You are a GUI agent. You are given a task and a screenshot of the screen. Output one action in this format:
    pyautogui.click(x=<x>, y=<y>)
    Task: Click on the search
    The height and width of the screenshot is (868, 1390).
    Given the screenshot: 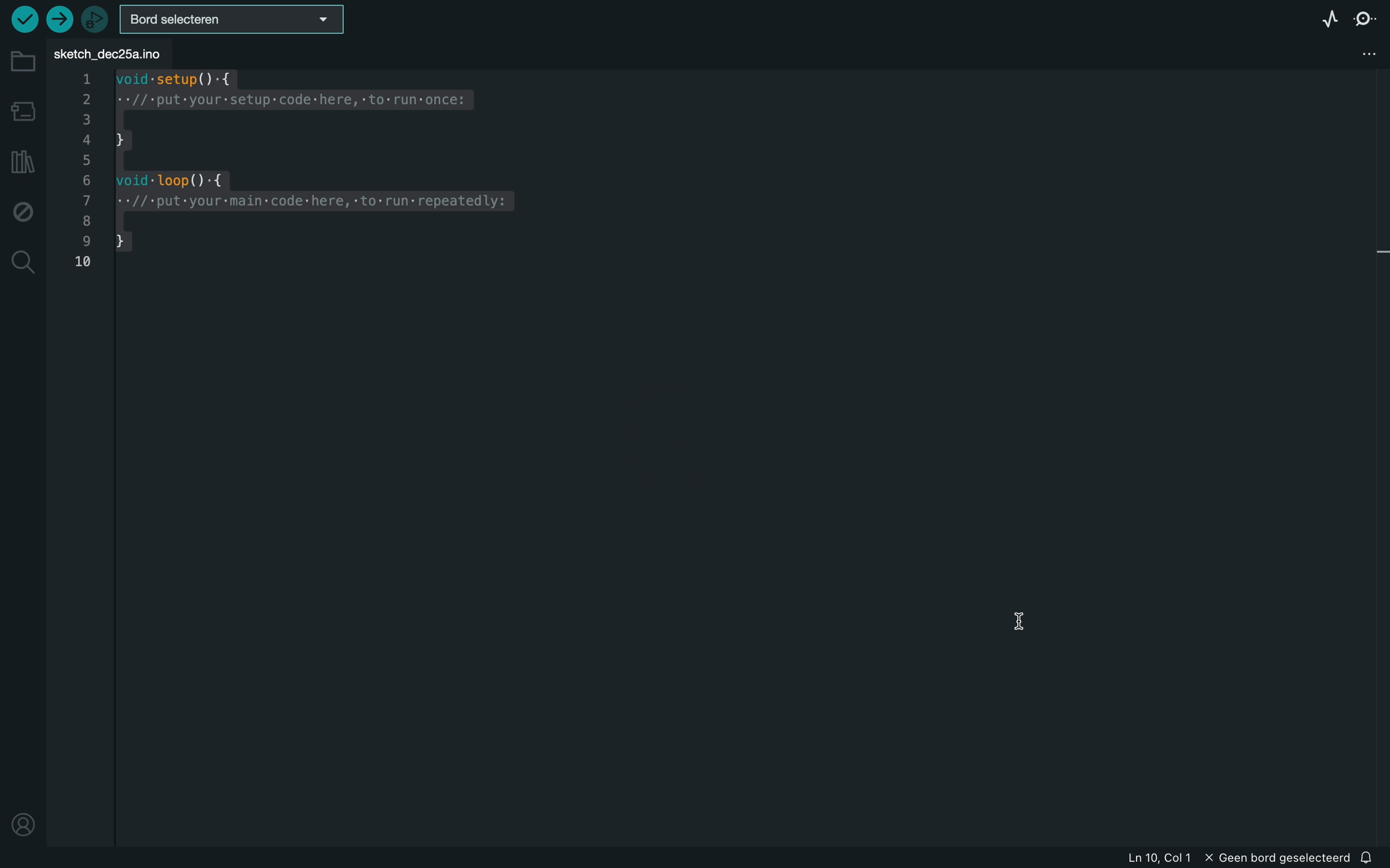 What is the action you would take?
    pyautogui.click(x=24, y=264)
    